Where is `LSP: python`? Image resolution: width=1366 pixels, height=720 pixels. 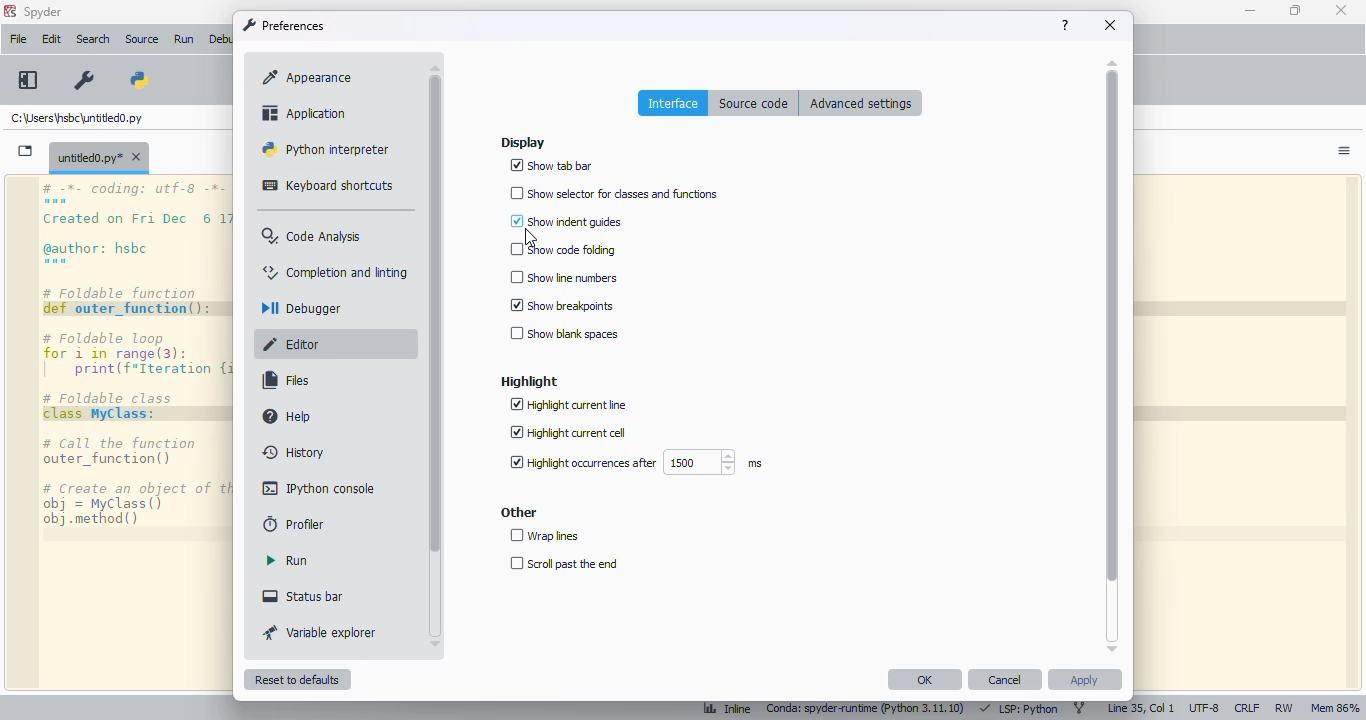 LSP: python is located at coordinates (1019, 709).